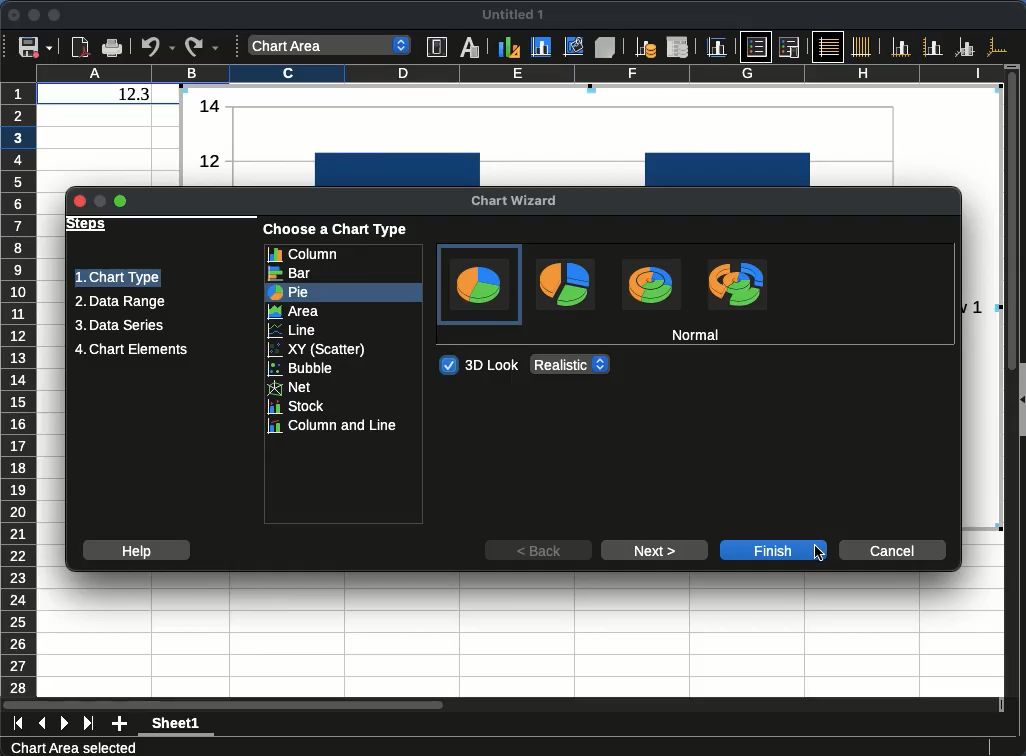 The image size is (1026, 756). I want to click on Export directly as PDF, so click(82, 48).